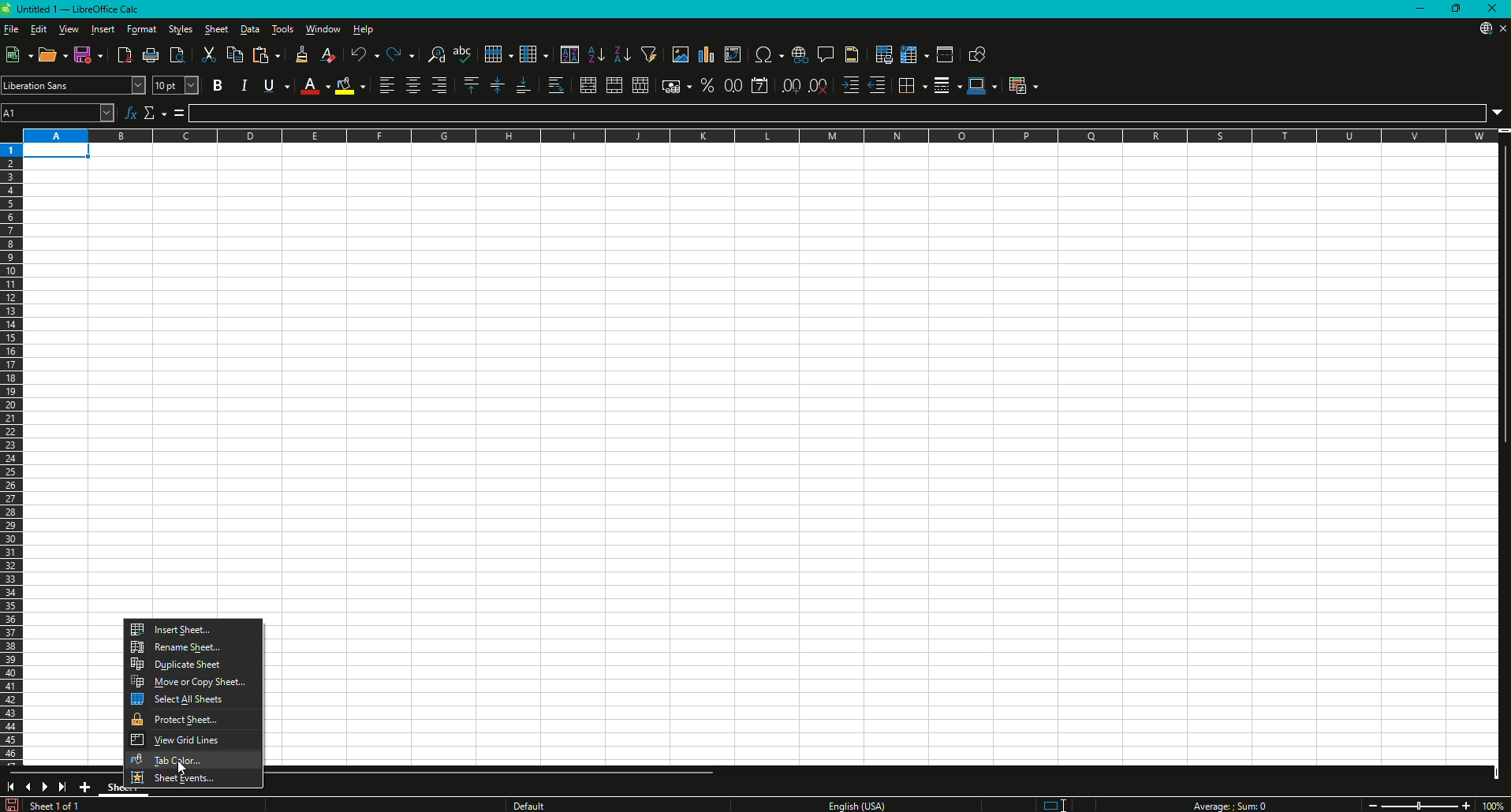  Describe the element at coordinates (192, 778) in the screenshot. I see `Sheet Events` at that location.